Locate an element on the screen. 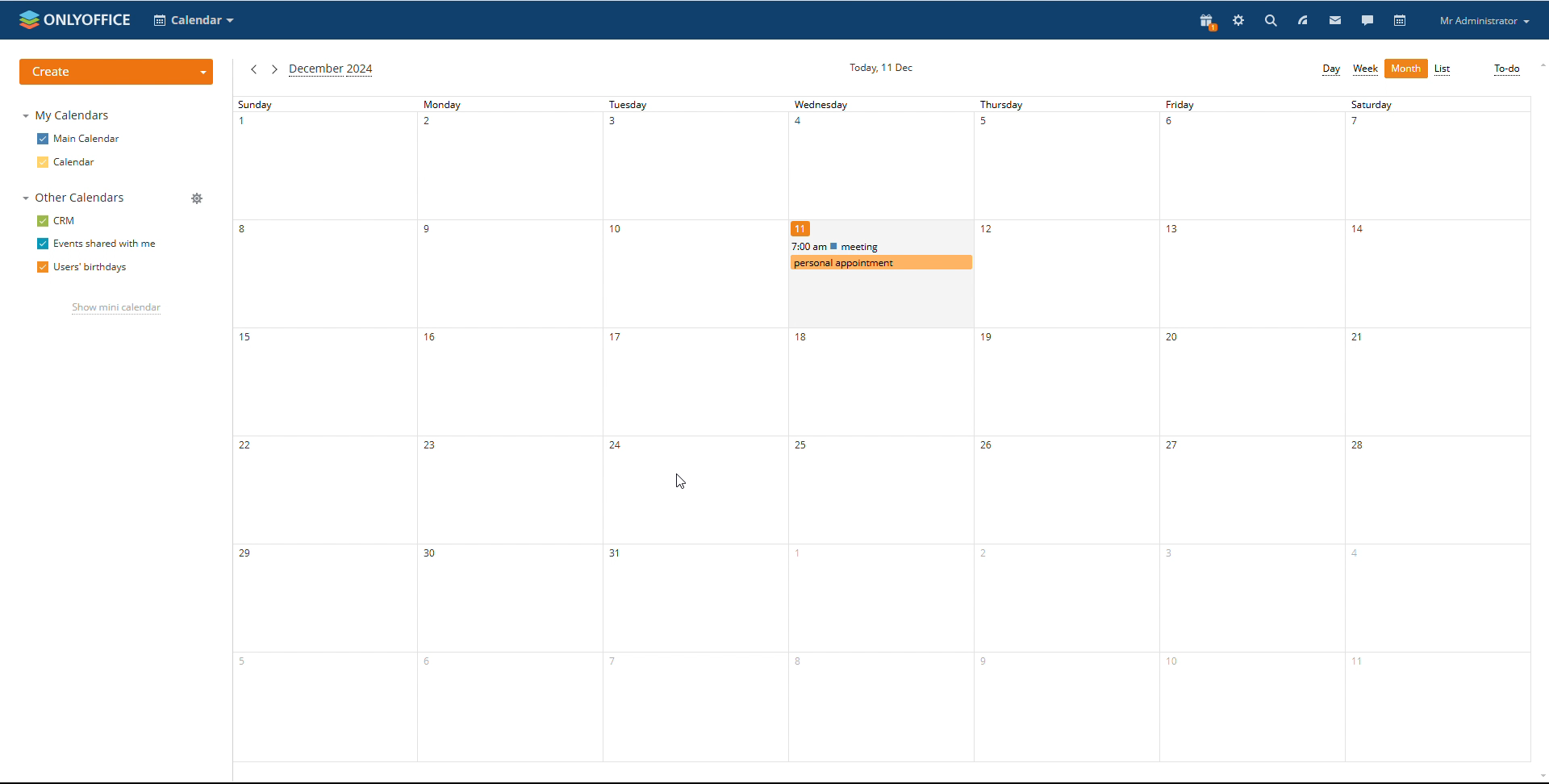 The height and width of the screenshot is (784, 1549). mail is located at coordinates (1336, 19).